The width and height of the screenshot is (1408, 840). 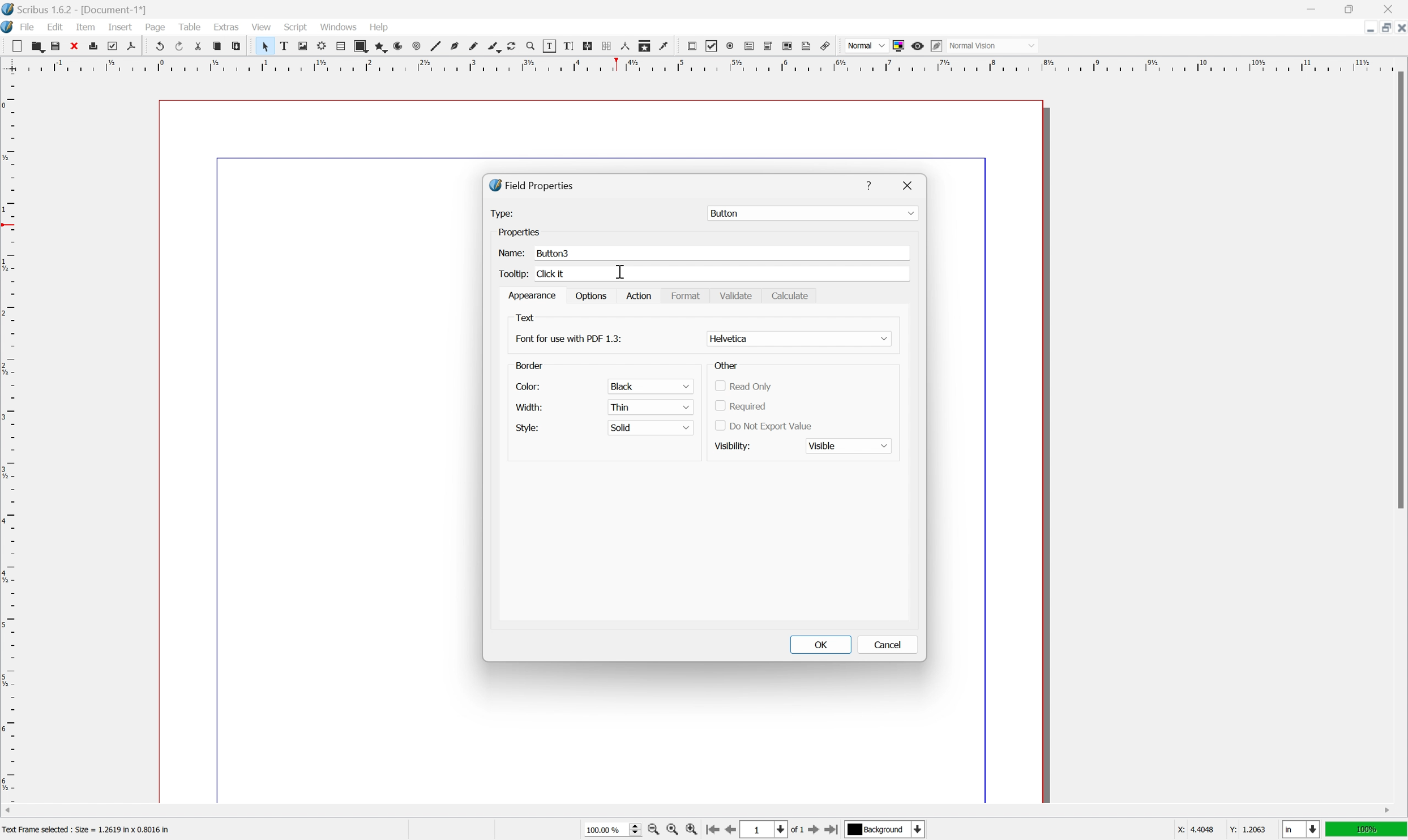 I want to click on close, so click(x=1399, y=28).